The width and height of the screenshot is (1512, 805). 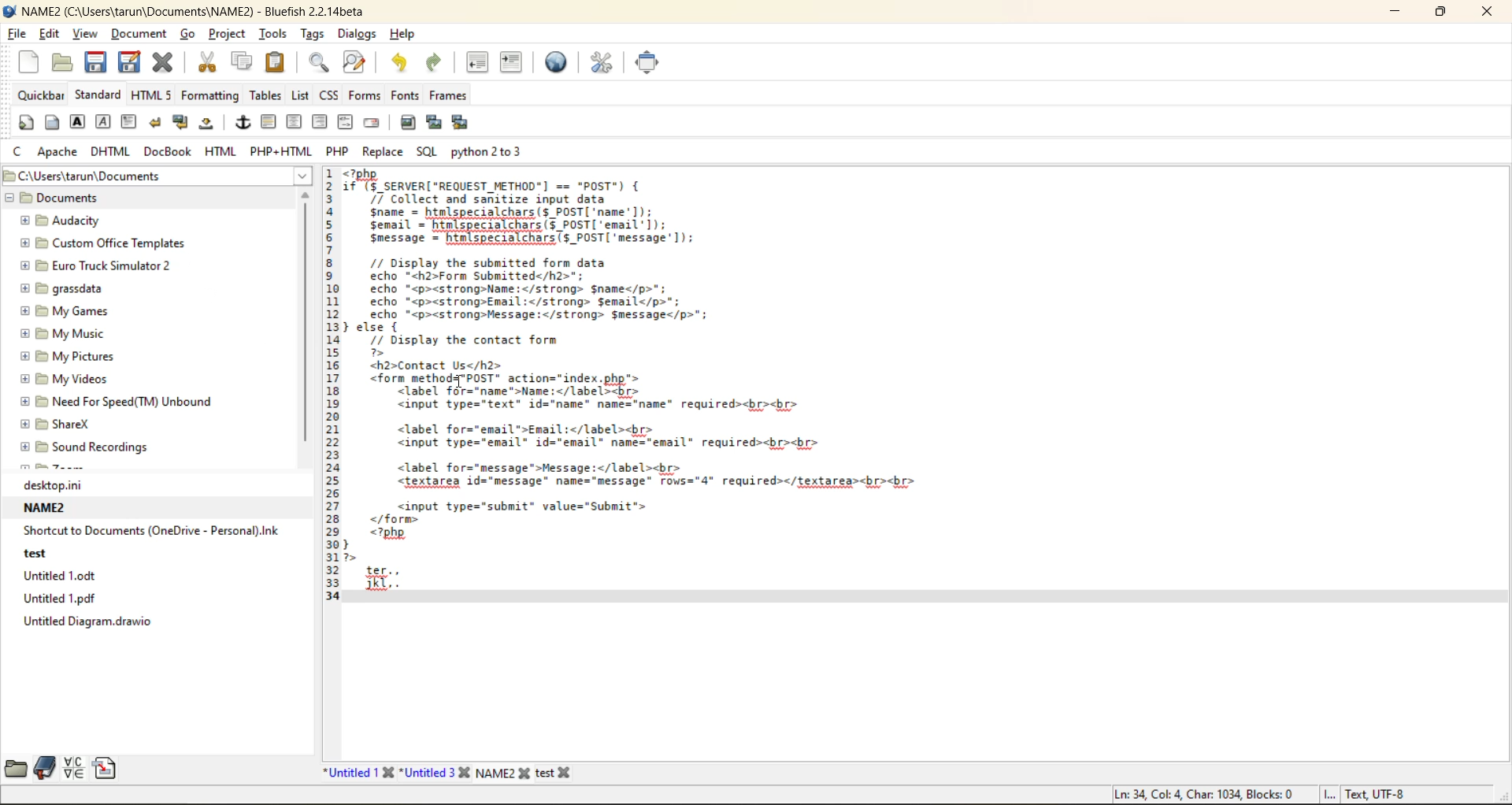 What do you see at coordinates (305, 323) in the screenshot?
I see `vertical scroll bar` at bounding box center [305, 323].